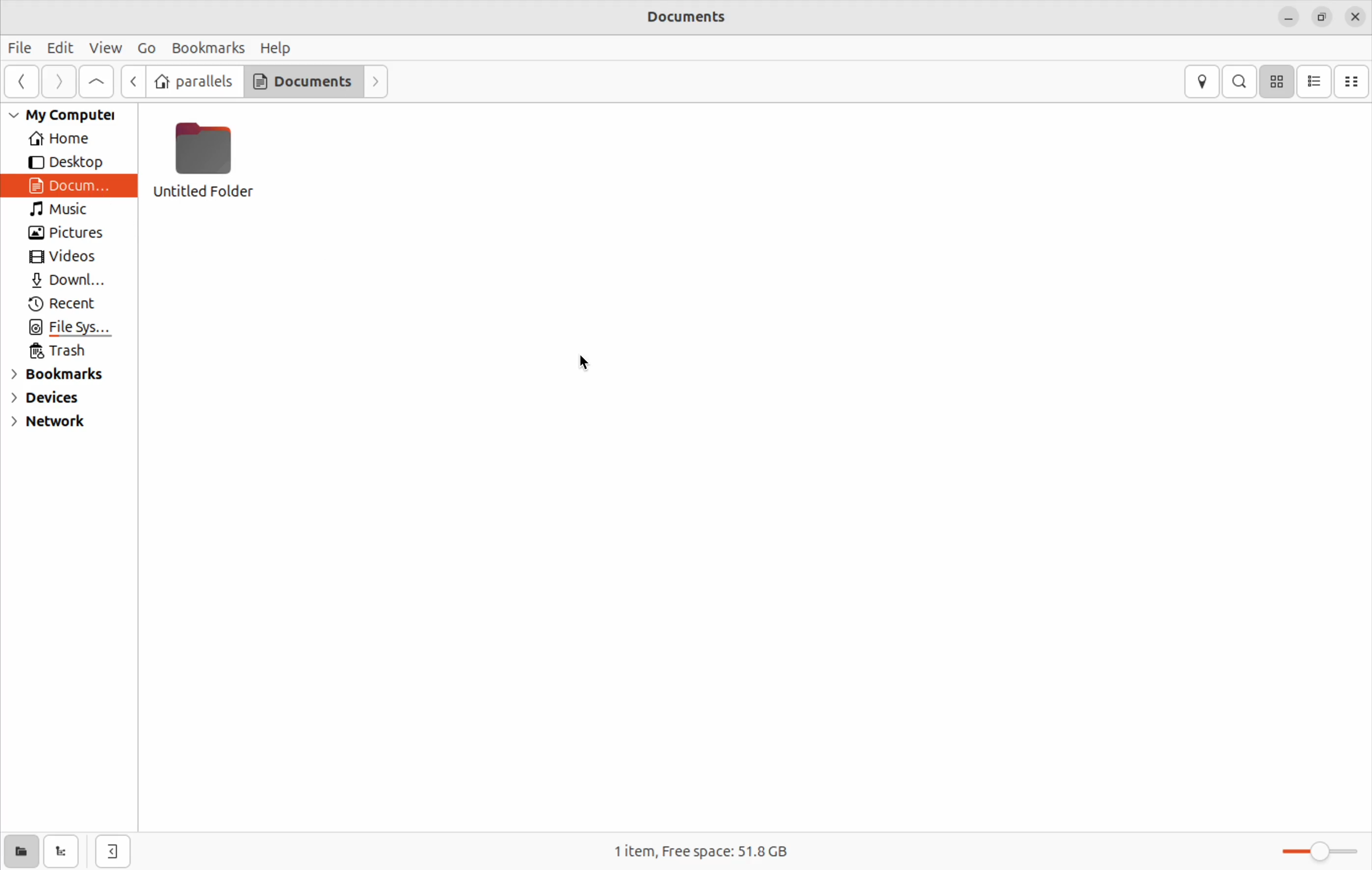 The width and height of the screenshot is (1372, 870). I want to click on Desktop, so click(71, 164).